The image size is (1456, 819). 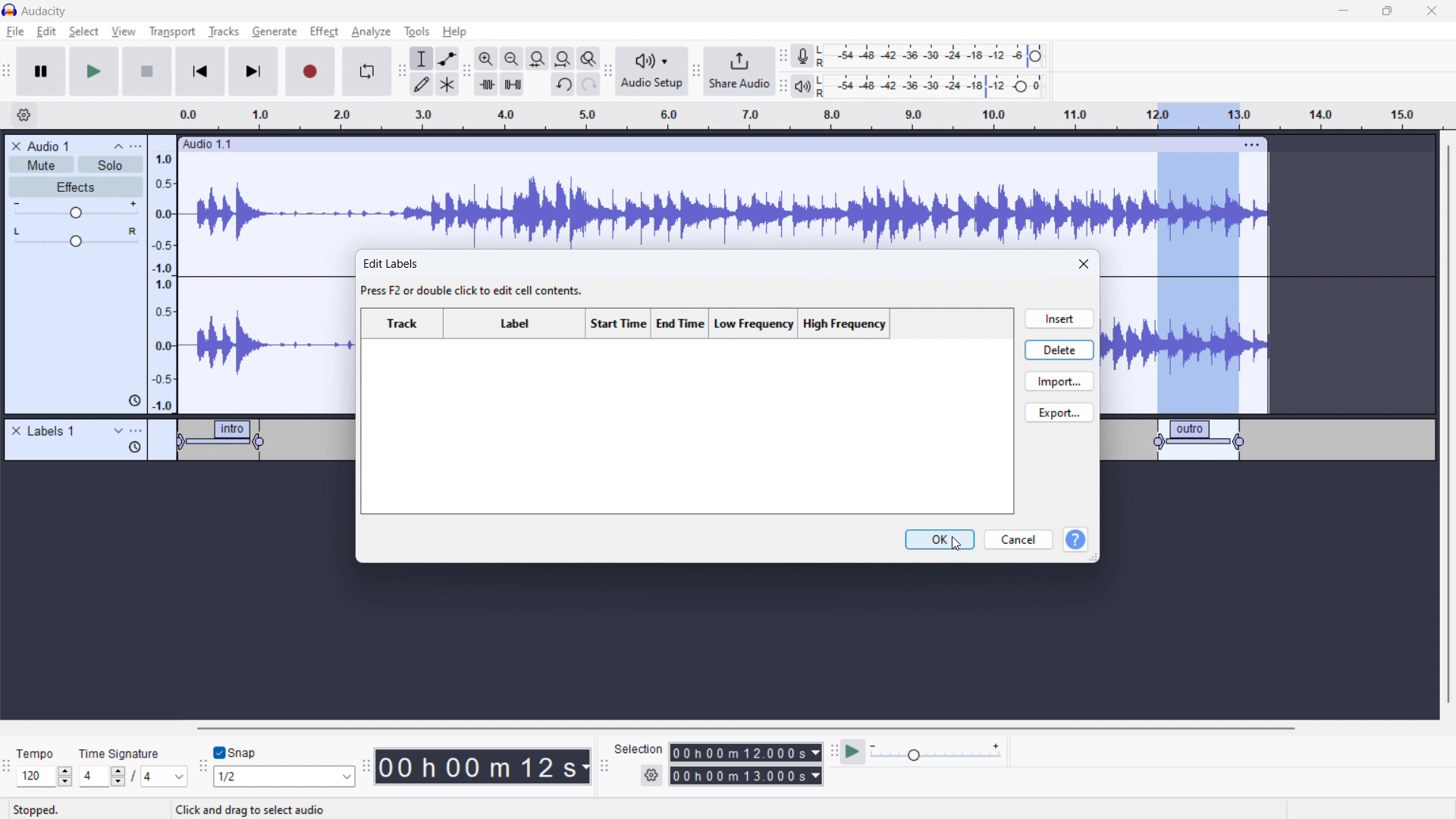 What do you see at coordinates (607, 71) in the screenshot?
I see `audio setup toolbar` at bounding box center [607, 71].